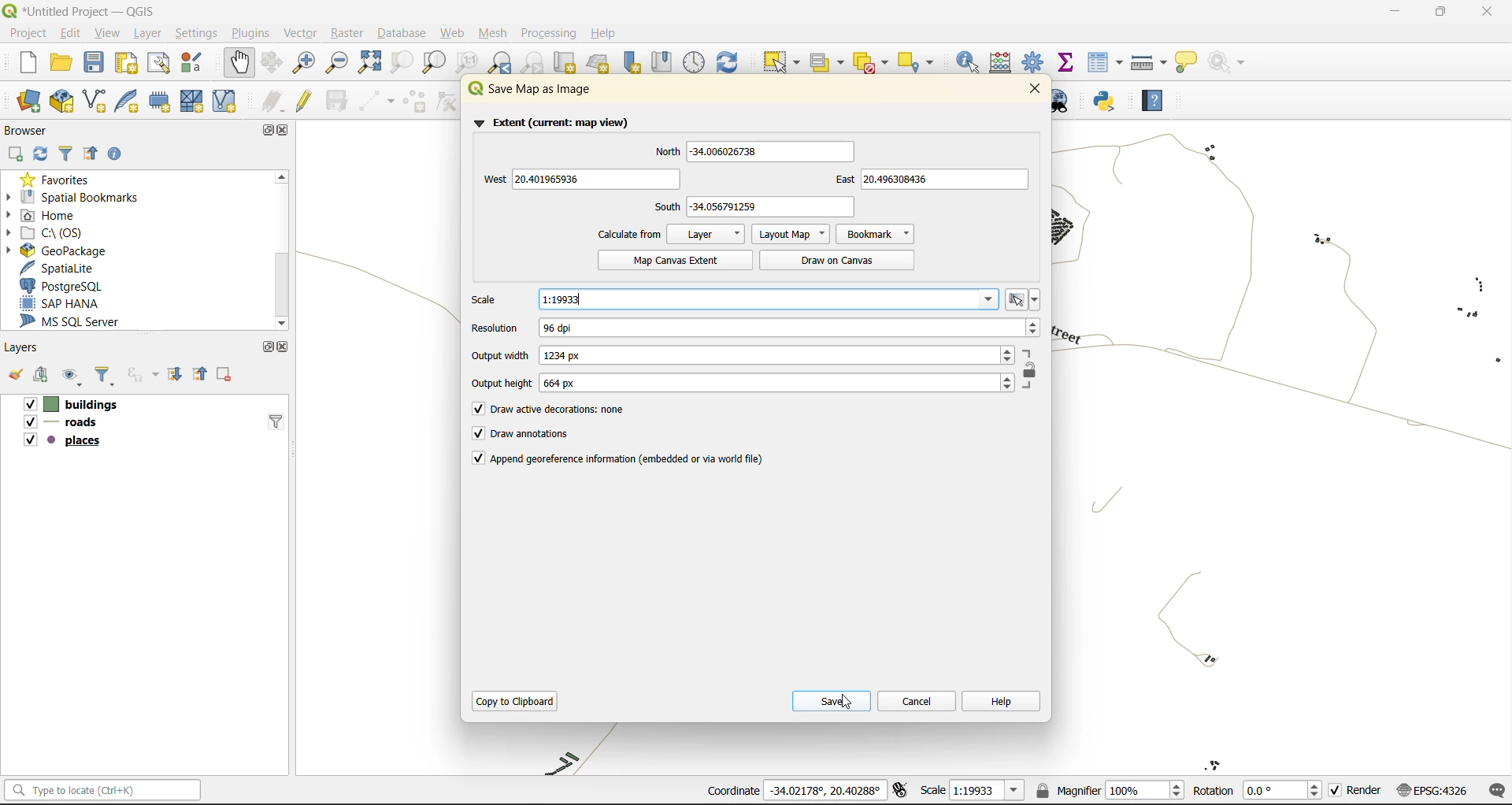  What do you see at coordinates (1062, 101) in the screenshot?
I see `metasearch` at bounding box center [1062, 101].